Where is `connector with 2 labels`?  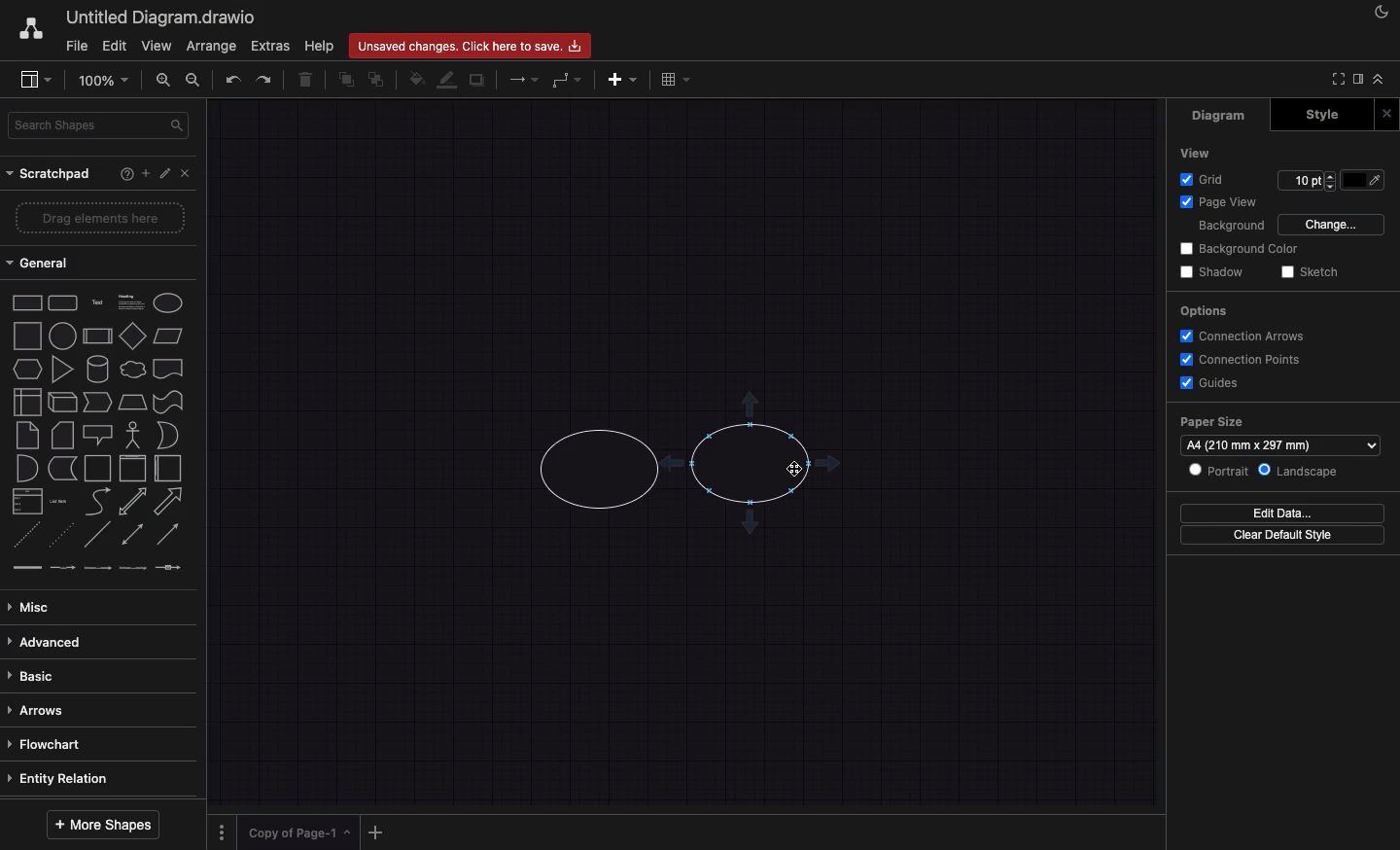
connector with 2 labels is located at coordinates (97, 567).